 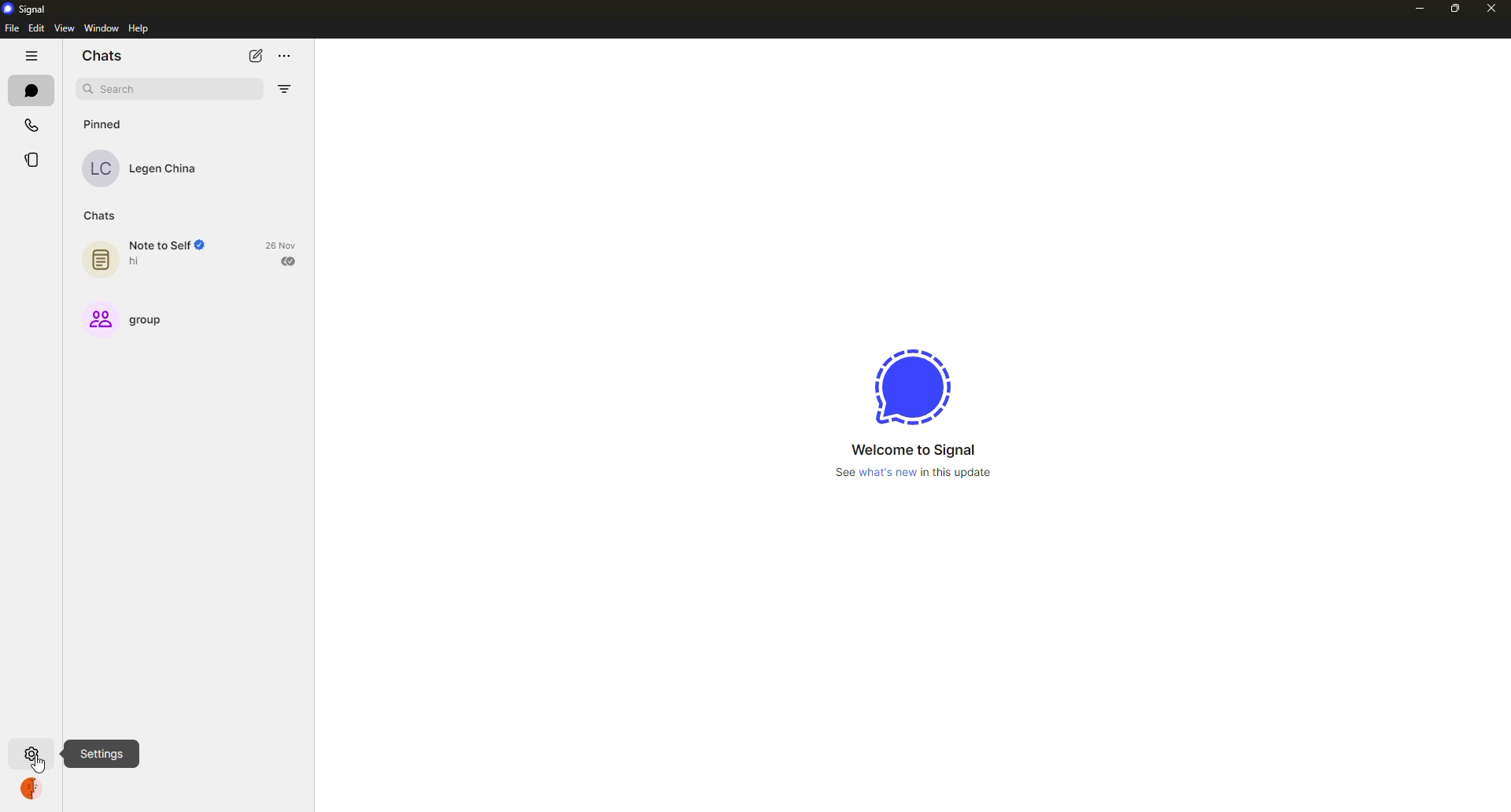 I want to click on chats, so click(x=31, y=89).